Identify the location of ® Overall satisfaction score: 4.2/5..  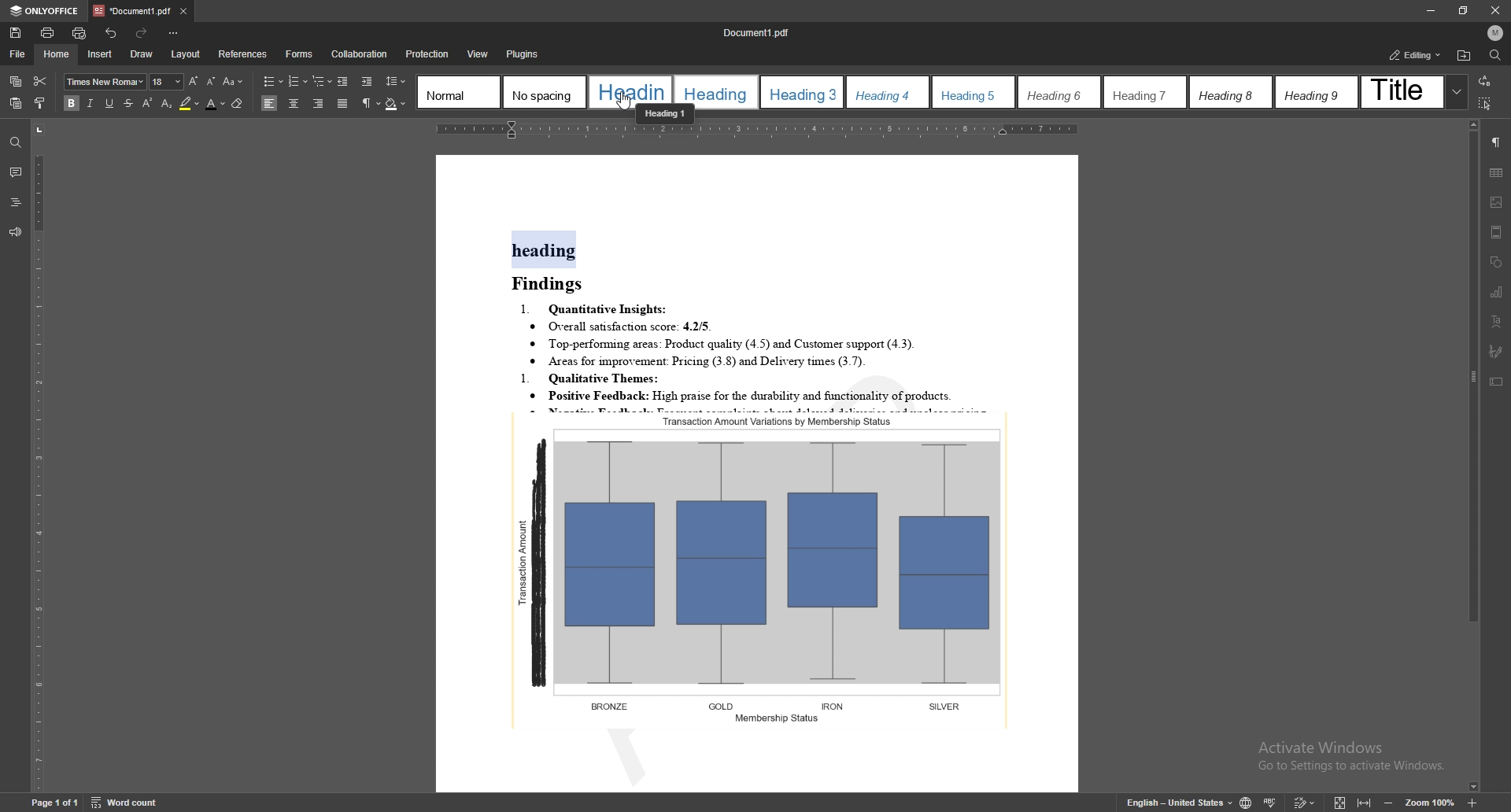
(623, 327).